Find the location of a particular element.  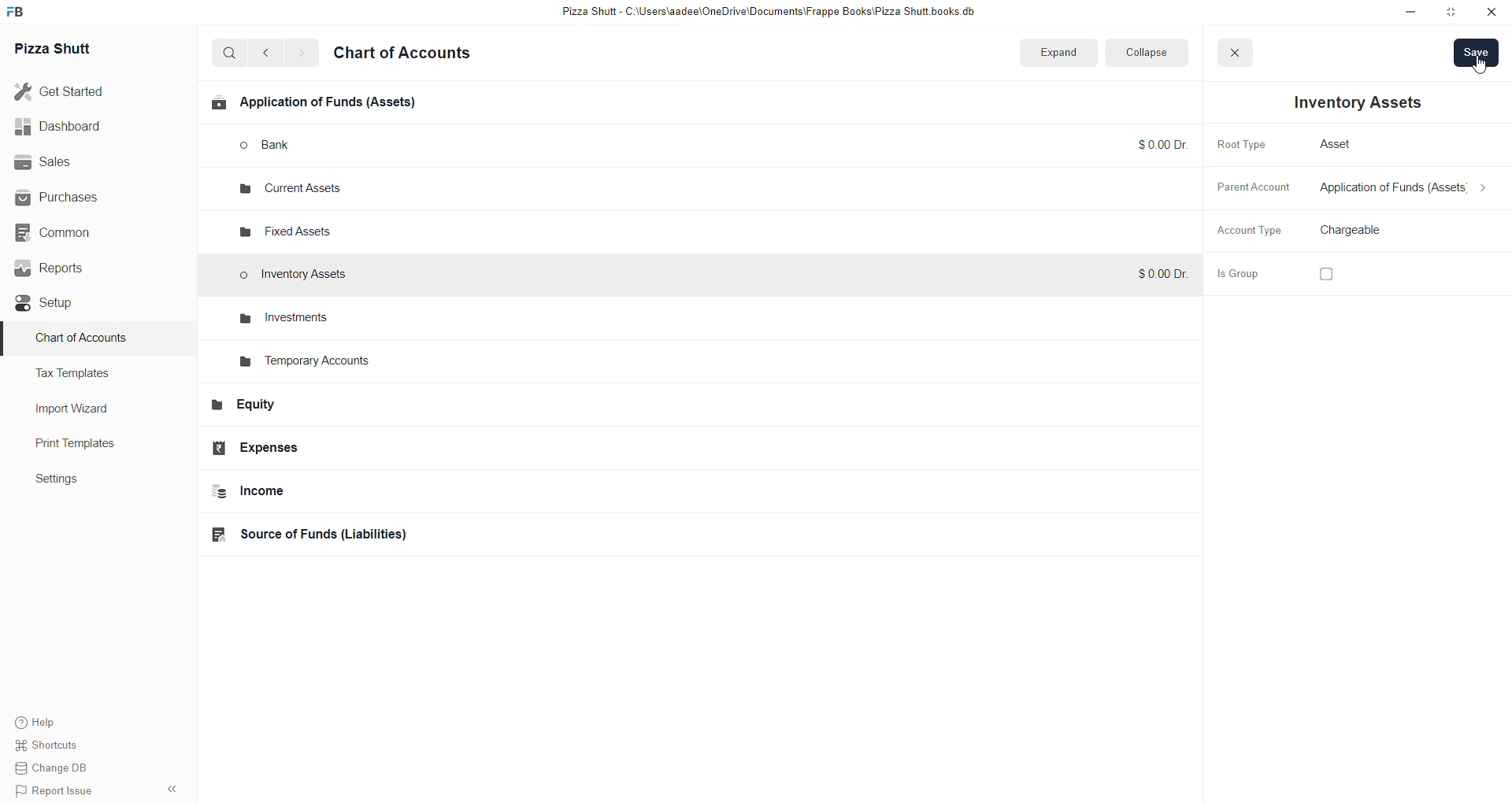

Root Type  is located at coordinates (1245, 146).